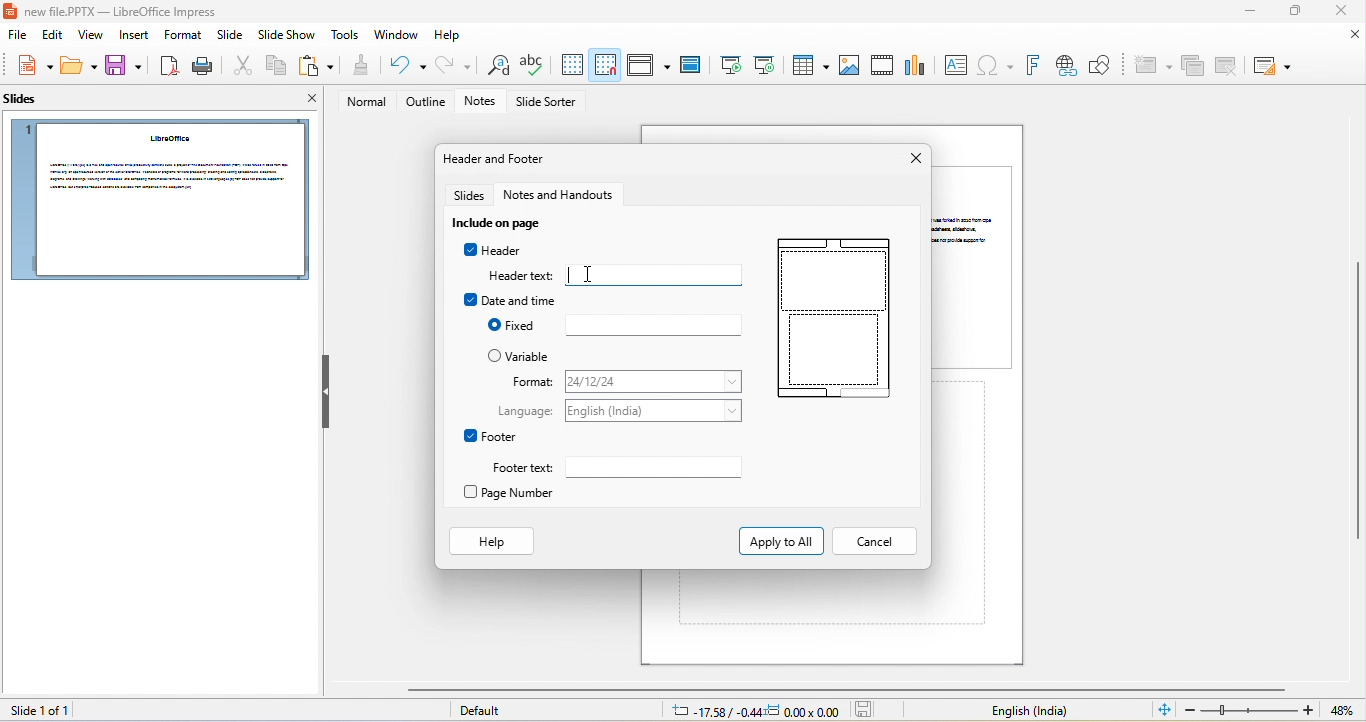 This screenshot has width=1366, height=722. What do you see at coordinates (654, 275) in the screenshot?
I see `typing in header text` at bounding box center [654, 275].